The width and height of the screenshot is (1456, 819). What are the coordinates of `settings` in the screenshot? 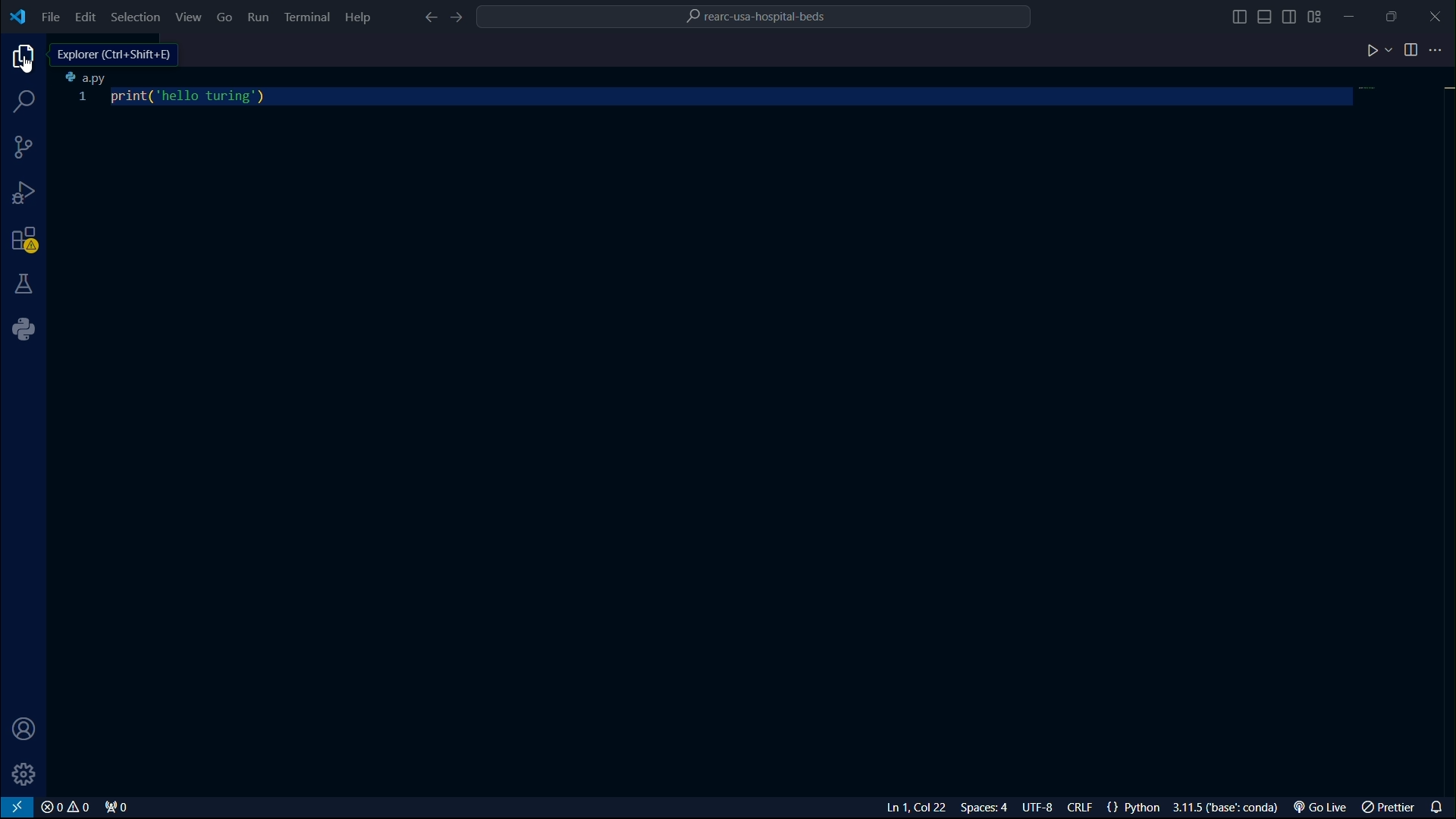 It's located at (27, 774).